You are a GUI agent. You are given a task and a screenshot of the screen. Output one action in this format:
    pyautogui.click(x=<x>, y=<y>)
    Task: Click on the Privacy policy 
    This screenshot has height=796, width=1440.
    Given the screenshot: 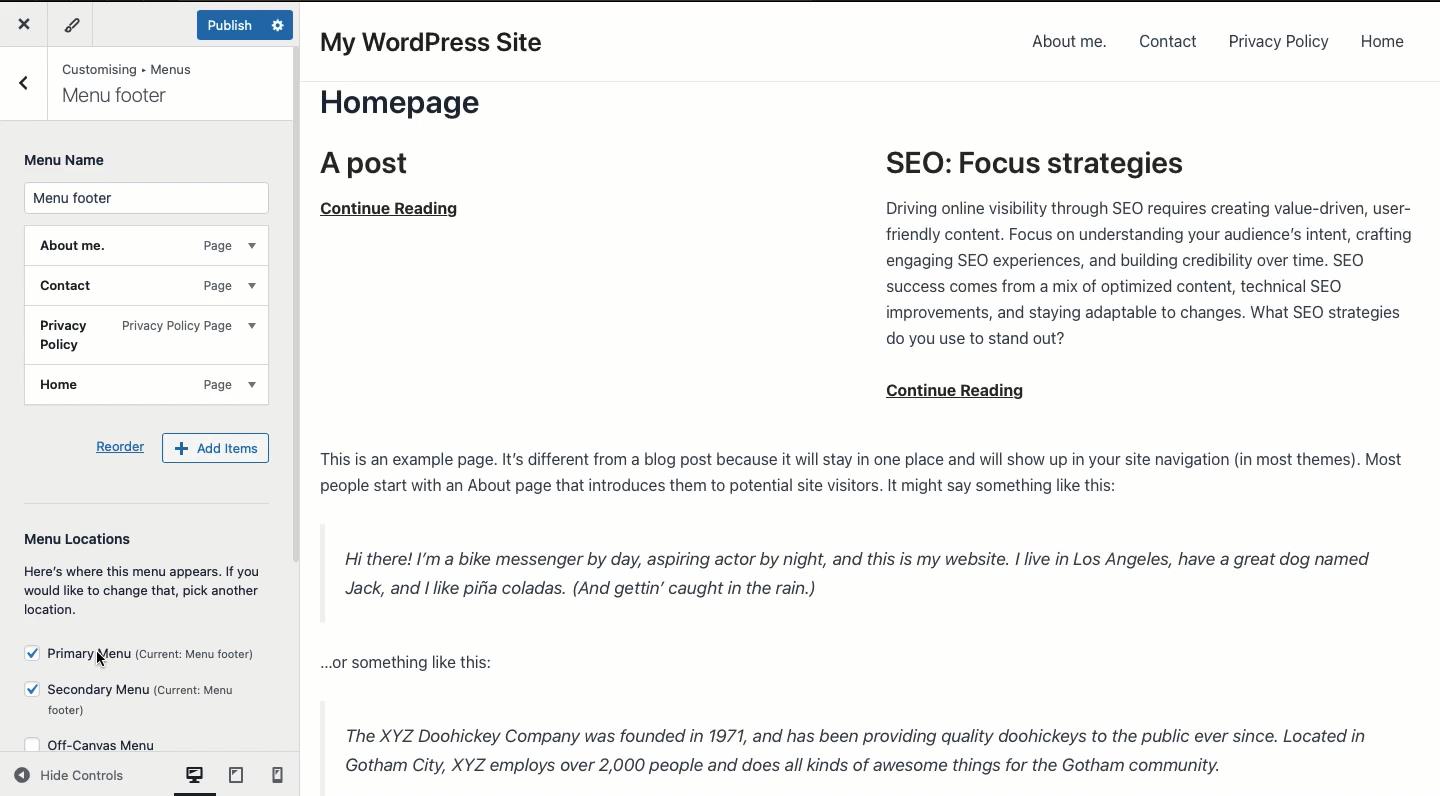 What is the action you would take?
    pyautogui.click(x=1280, y=41)
    